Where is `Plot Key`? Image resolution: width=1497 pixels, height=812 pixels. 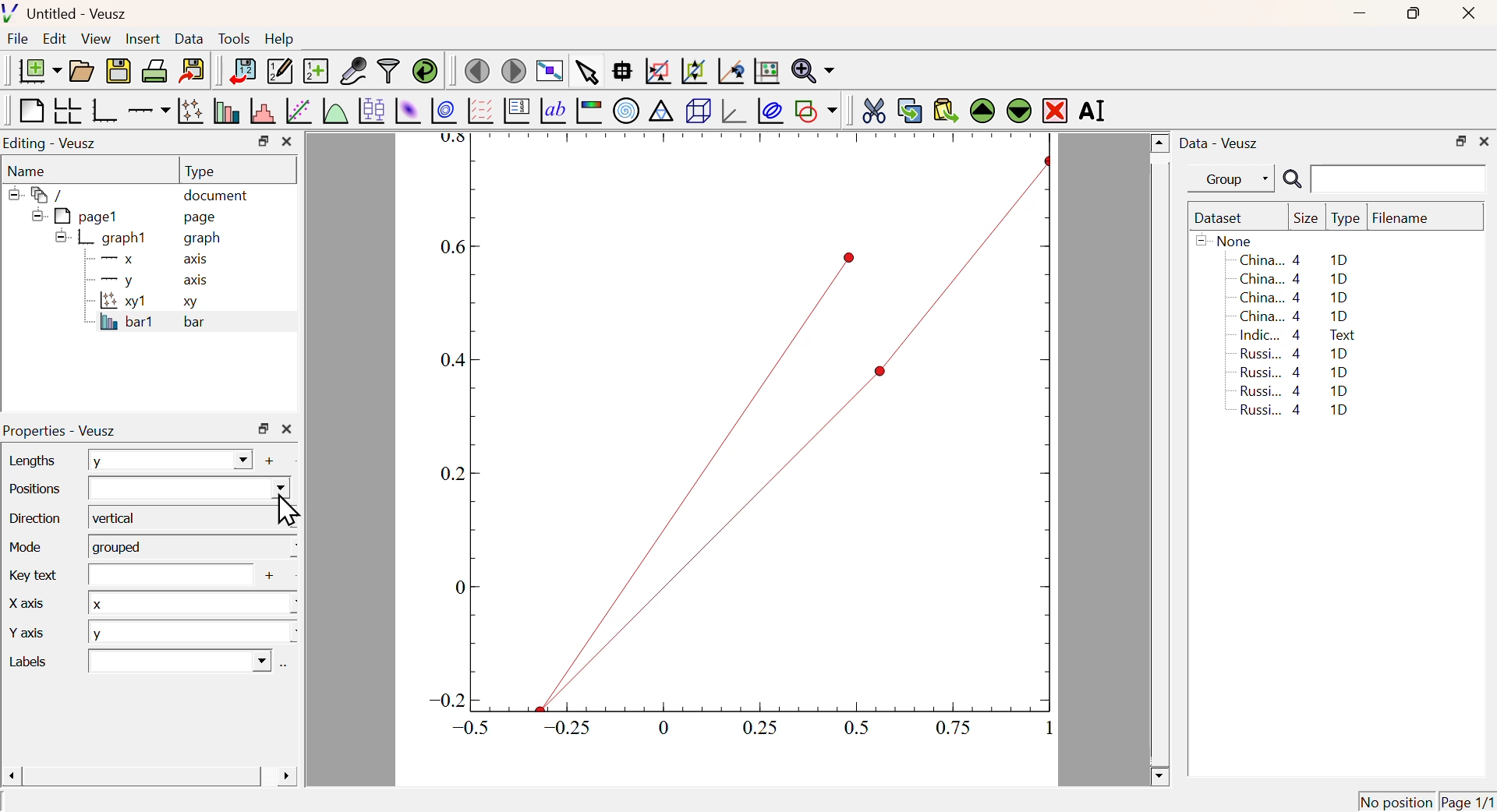 Plot Key is located at coordinates (515, 110).